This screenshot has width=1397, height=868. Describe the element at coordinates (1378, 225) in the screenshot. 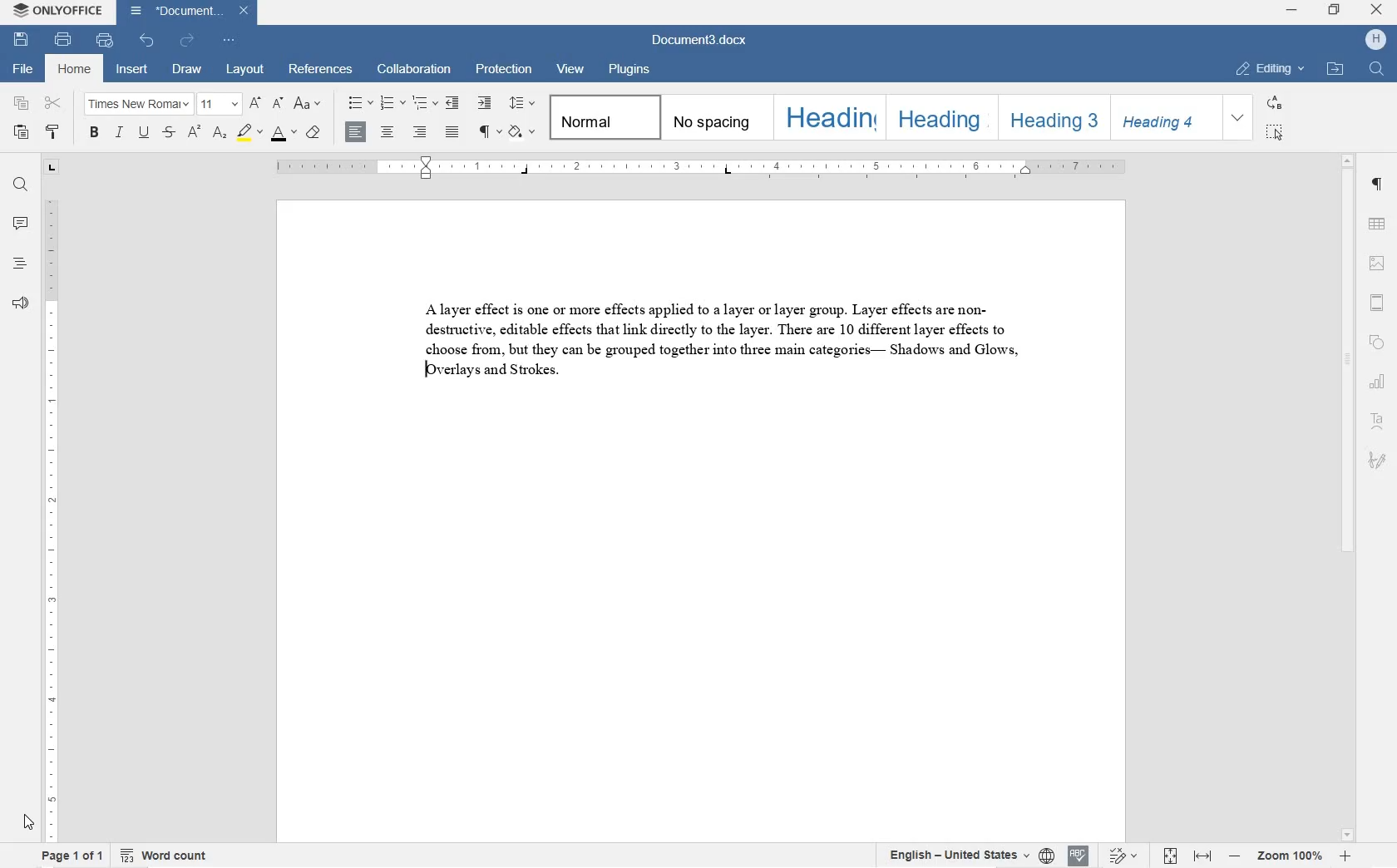

I see `TABLE` at that location.